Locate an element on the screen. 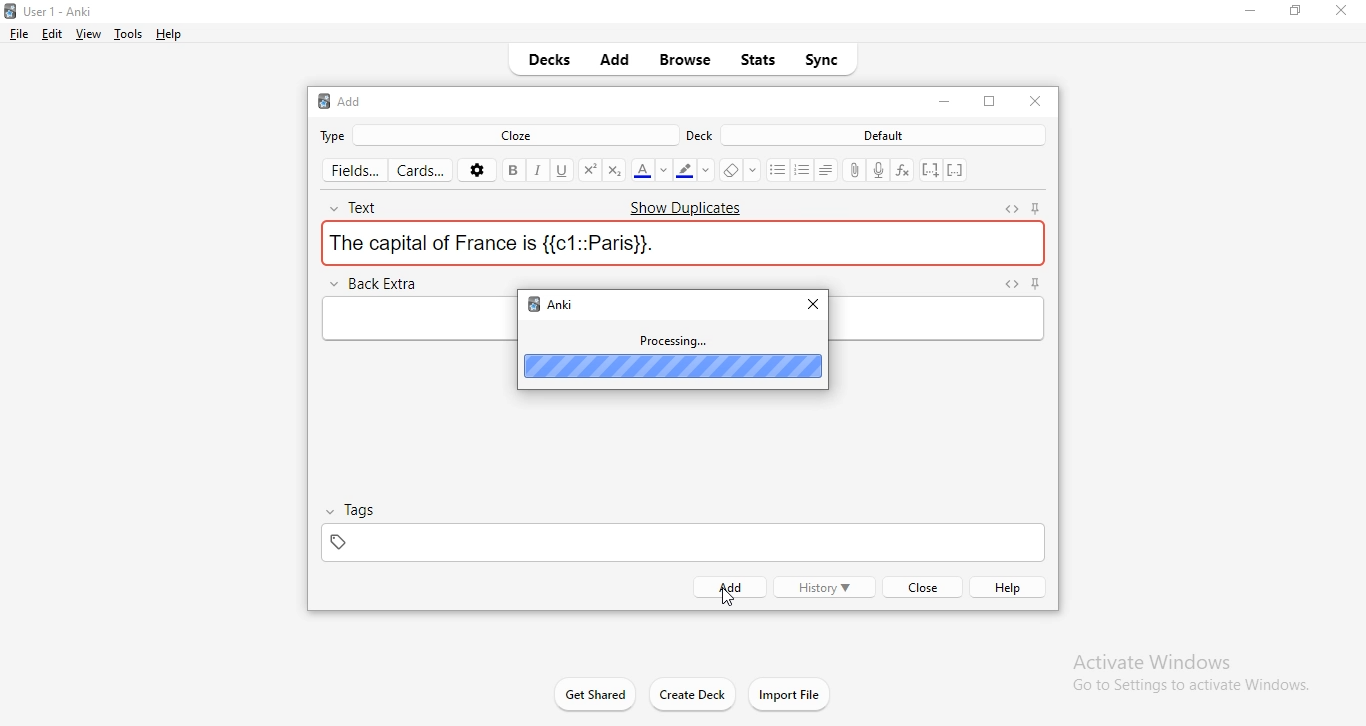 Image resolution: width=1366 pixels, height=726 pixels. browse is located at coordinates (685, 63).